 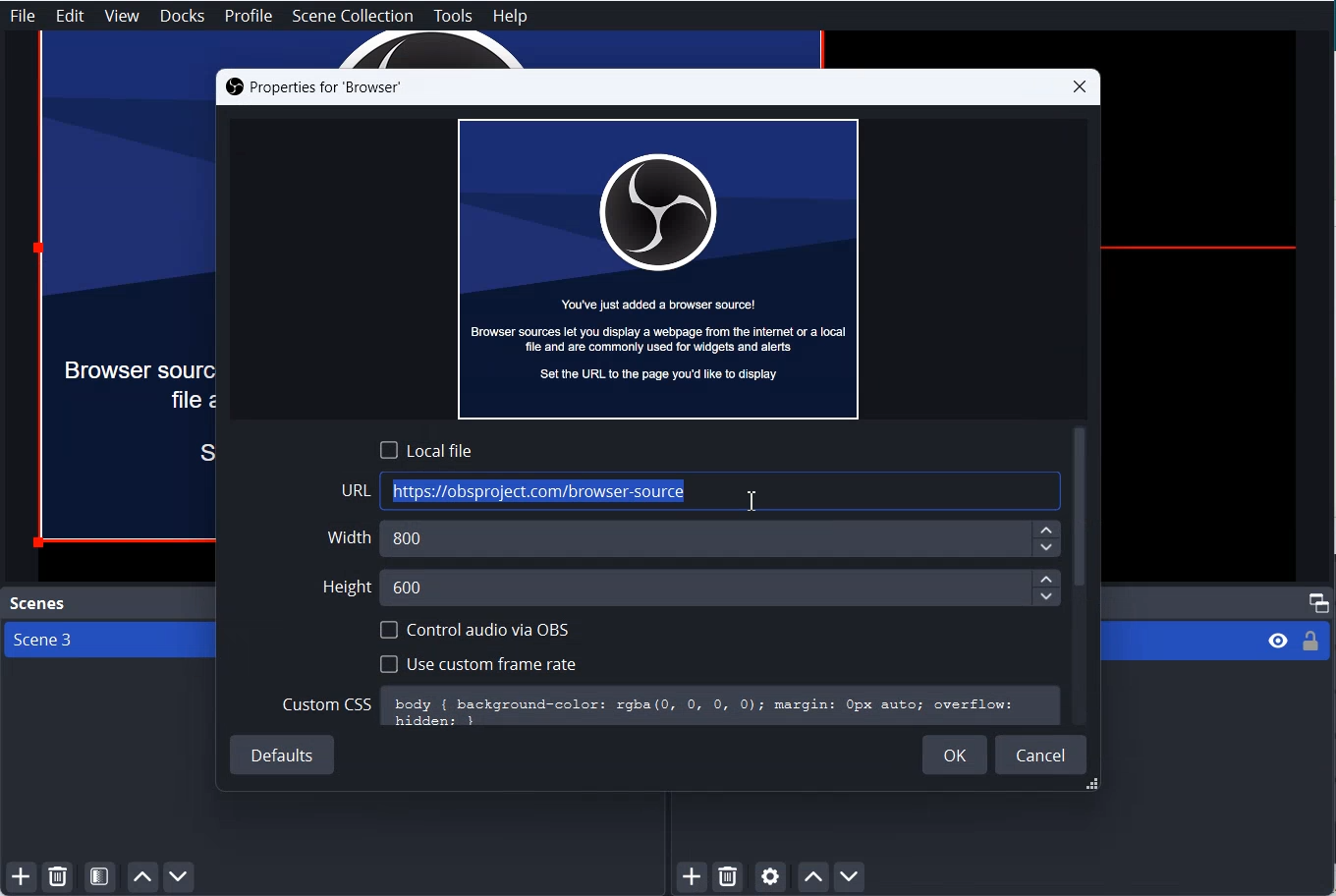 I want to click on Scenes, so click(x=35, y=603).